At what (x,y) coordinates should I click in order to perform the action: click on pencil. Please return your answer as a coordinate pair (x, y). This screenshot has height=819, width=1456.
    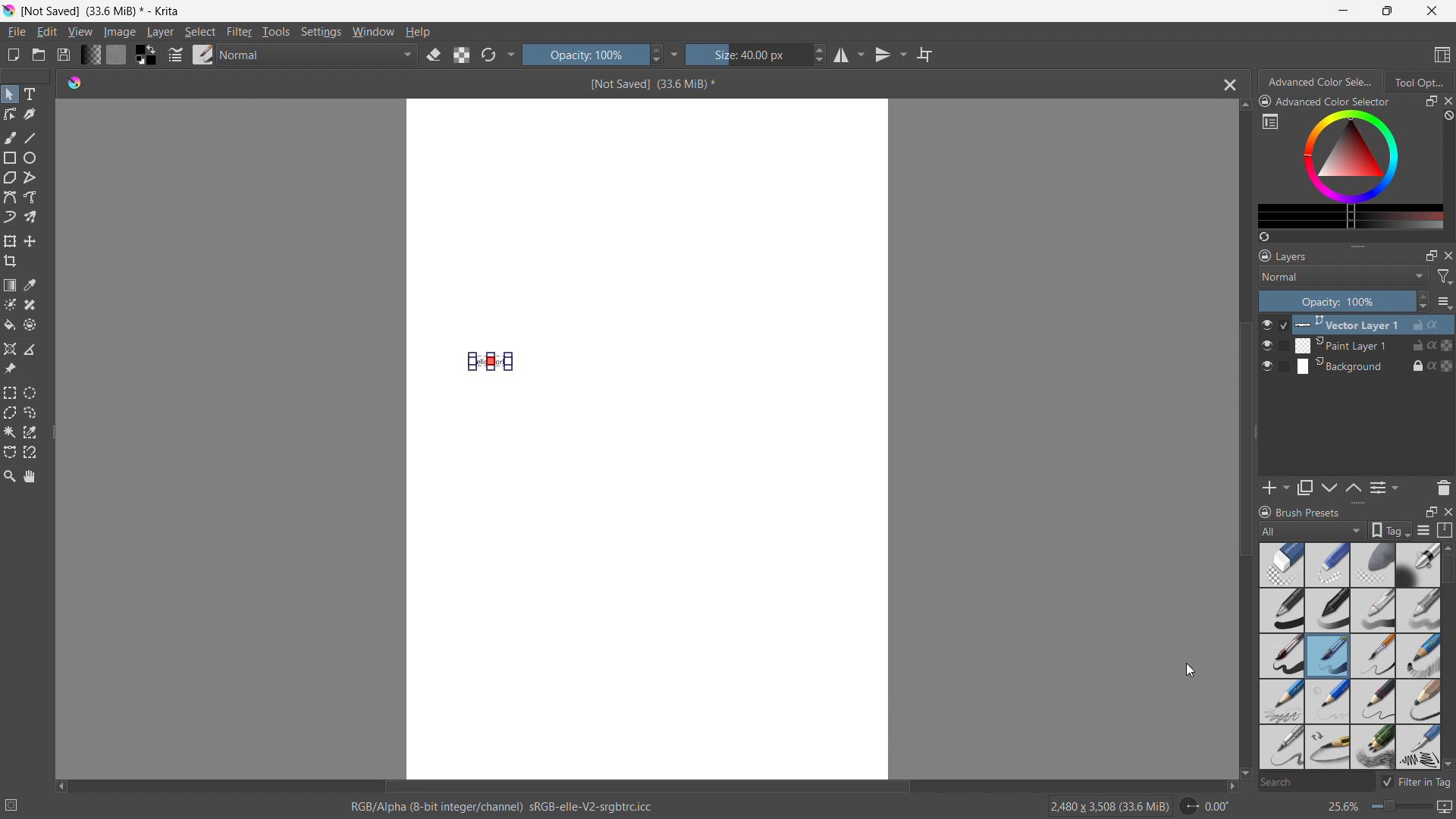
    Looking at the image, I should click on (1417, 747).